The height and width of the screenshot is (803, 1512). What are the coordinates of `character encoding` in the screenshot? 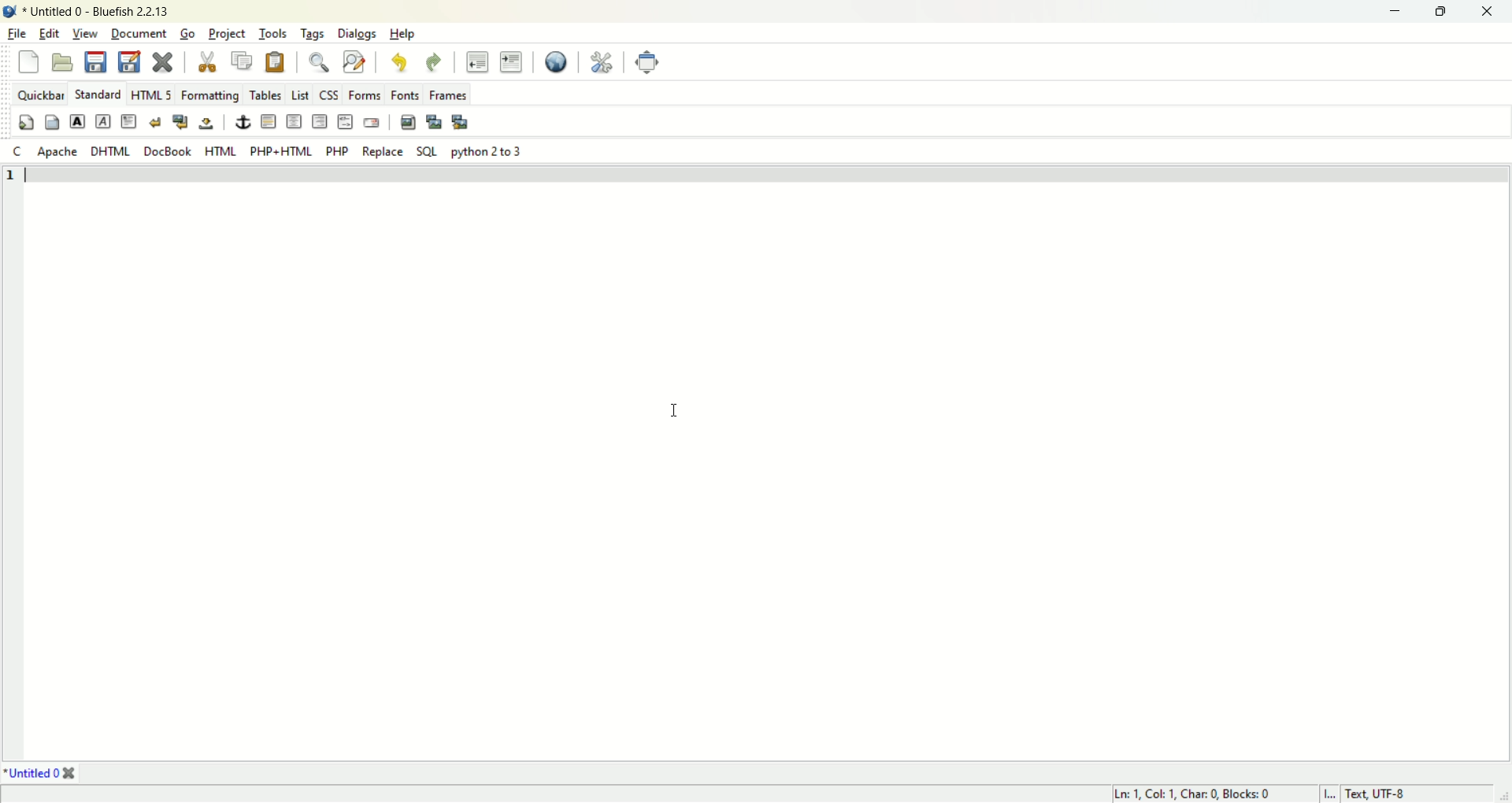 It's located at (1395, 794).